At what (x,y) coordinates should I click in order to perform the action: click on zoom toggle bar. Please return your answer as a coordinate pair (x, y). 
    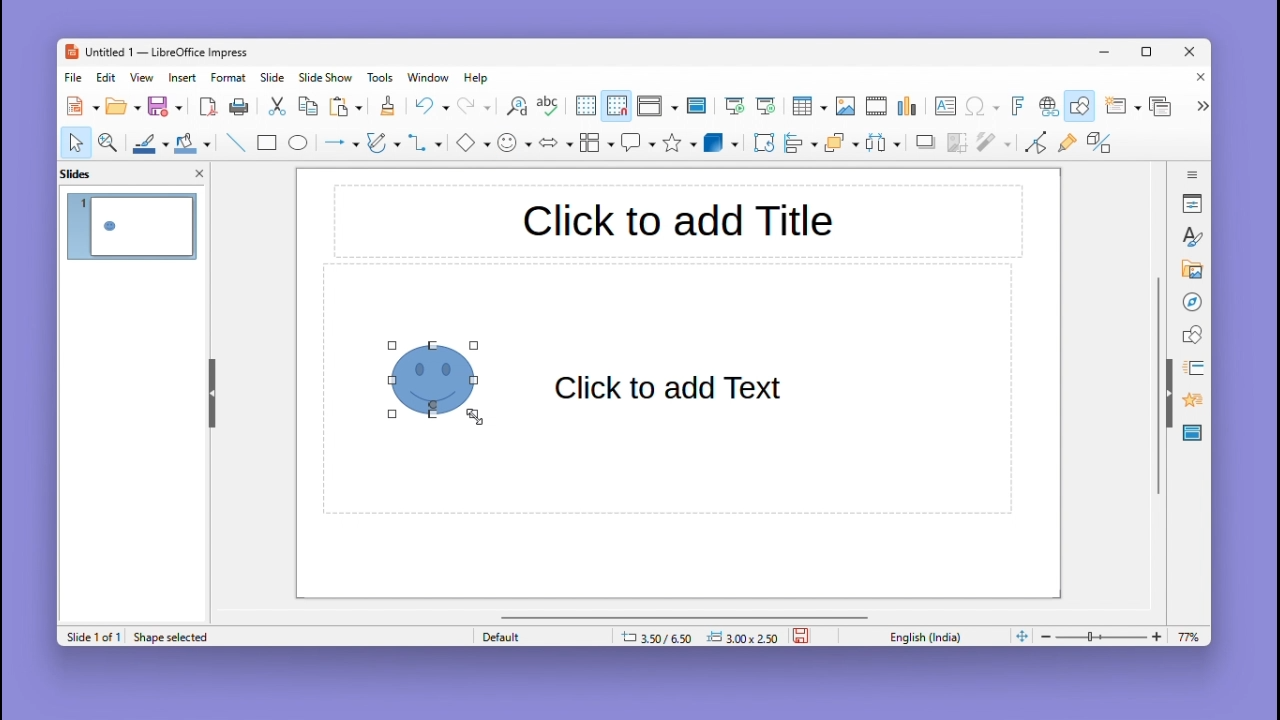
    Looking at the image, I should click on (1106, 636).